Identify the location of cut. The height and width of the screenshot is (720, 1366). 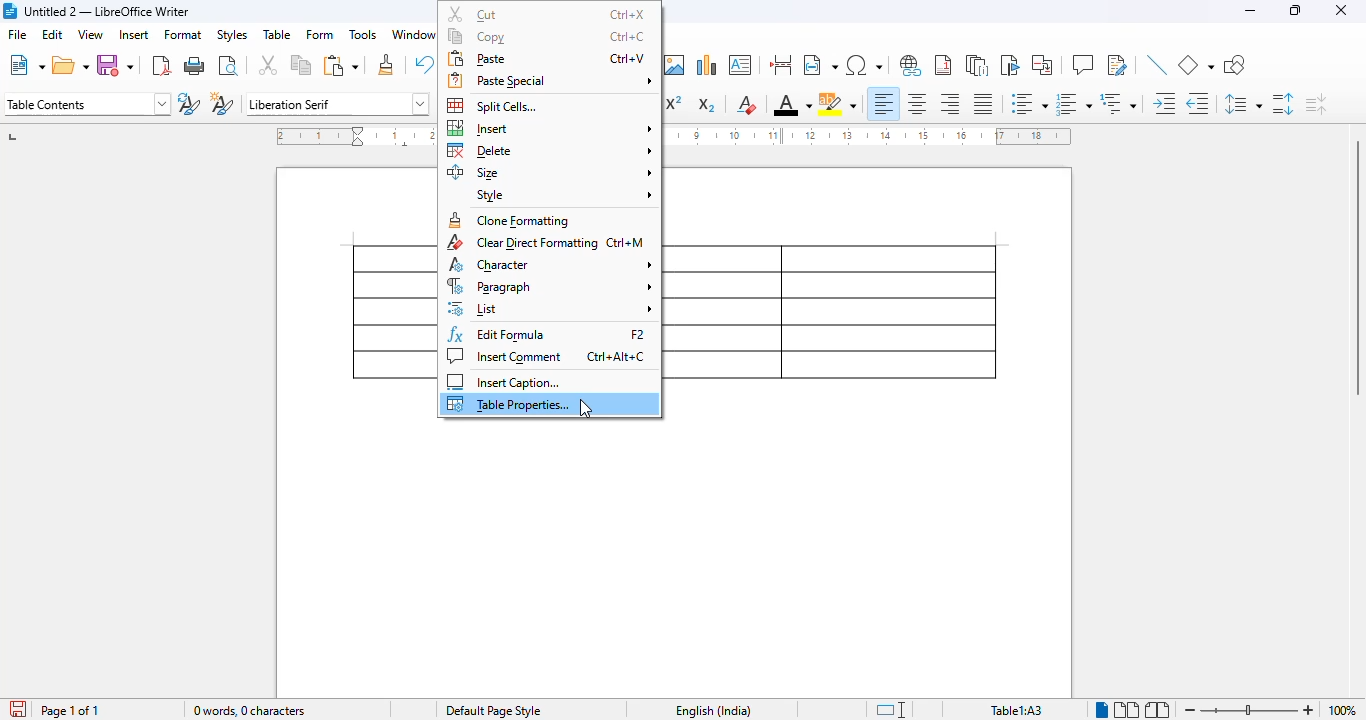
(473, 14).